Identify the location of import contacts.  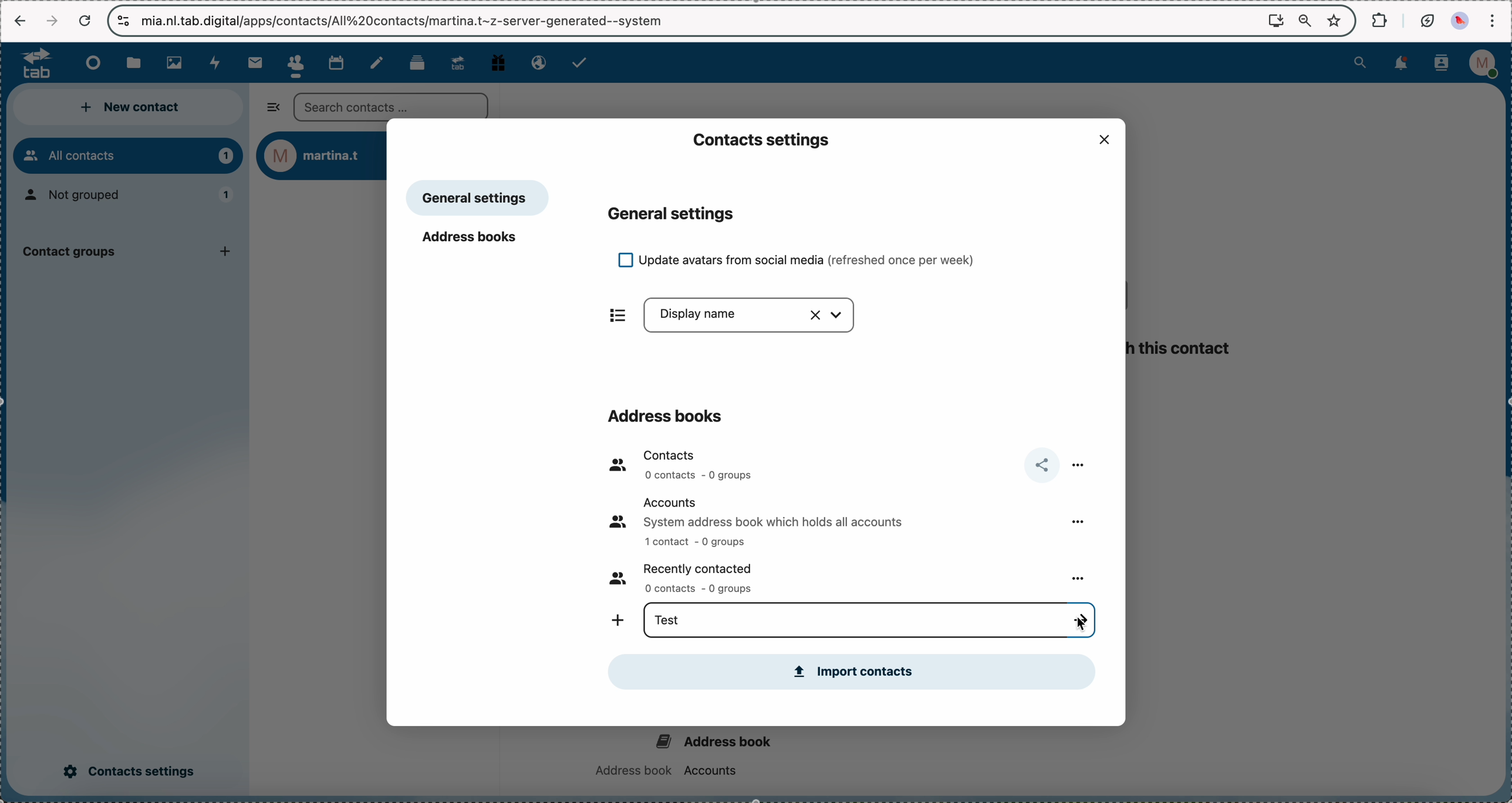
(852, 671).